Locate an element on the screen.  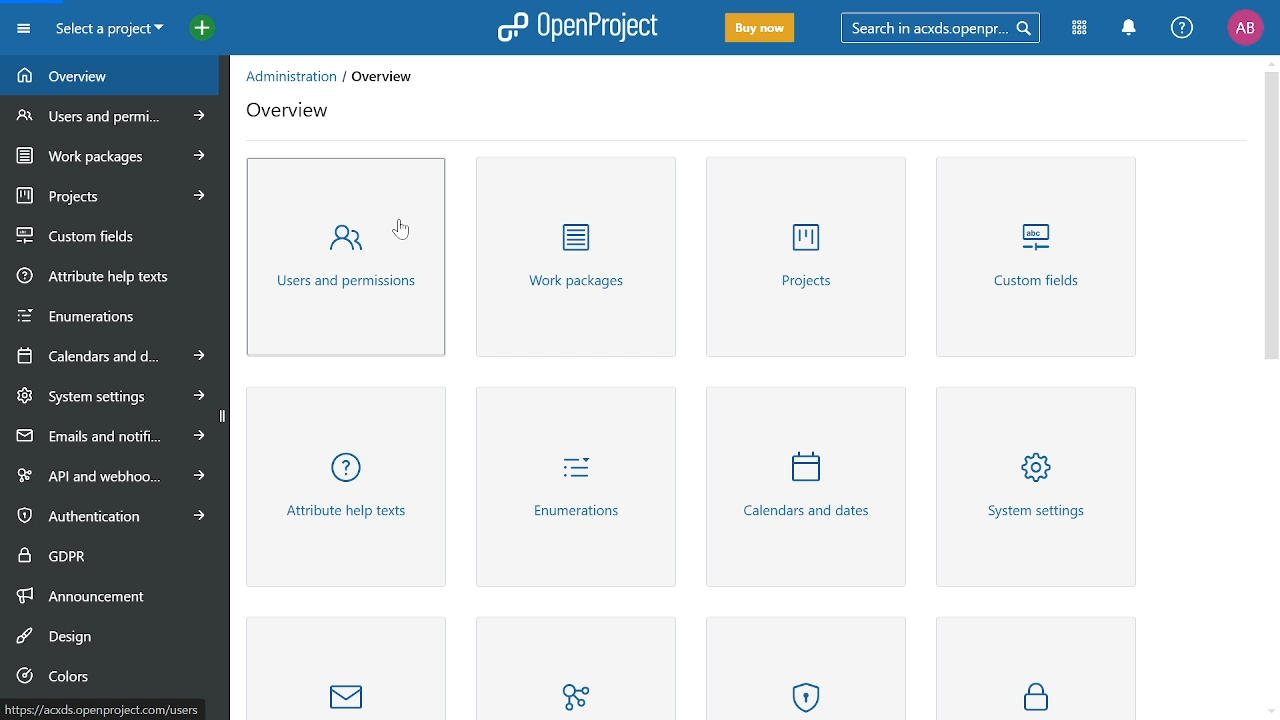
Announcement is located at coordinates (101, 598).